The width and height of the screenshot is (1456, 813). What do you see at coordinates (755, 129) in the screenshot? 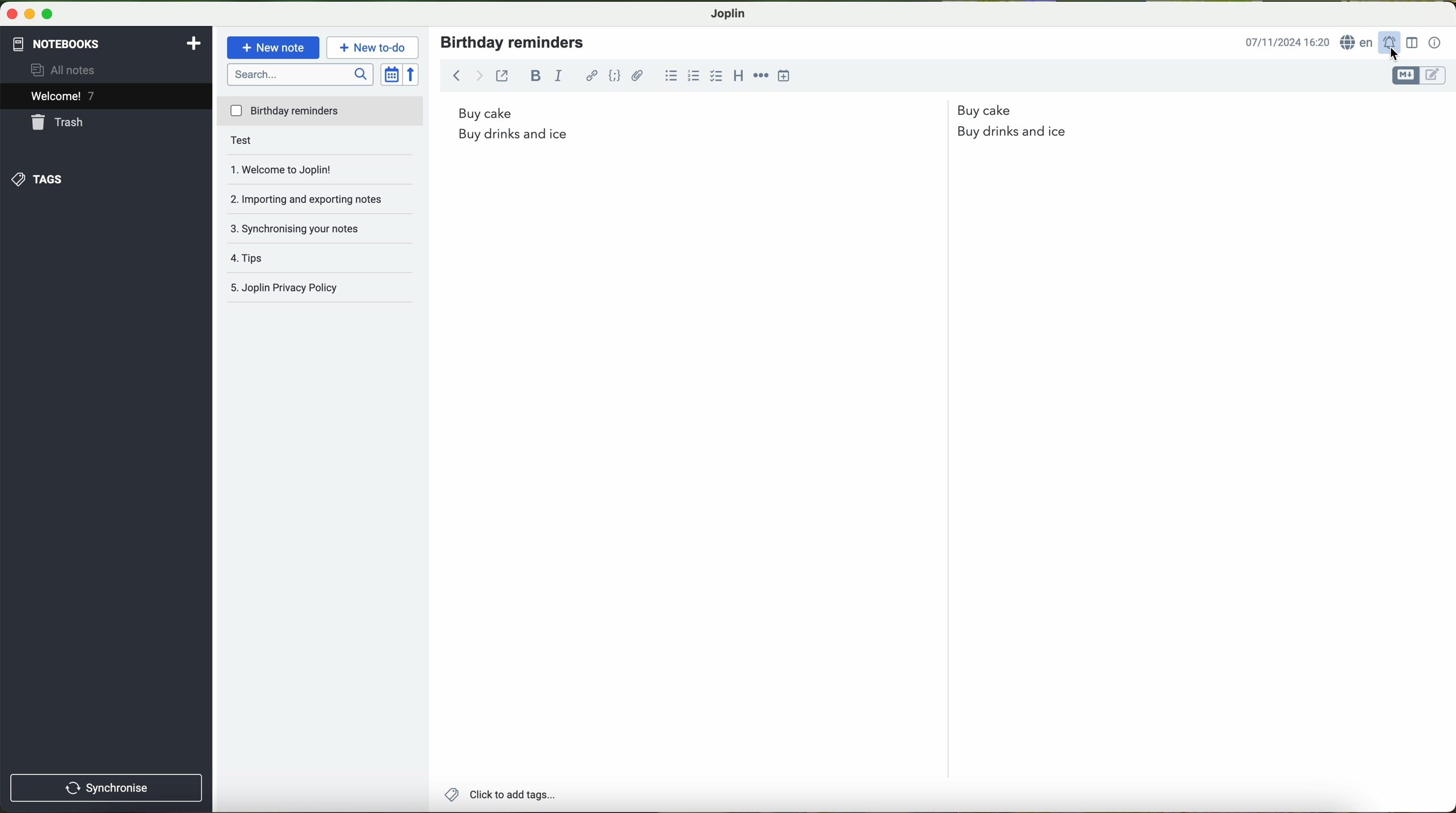
I see `reminder text` at bounding box center [755, 129].